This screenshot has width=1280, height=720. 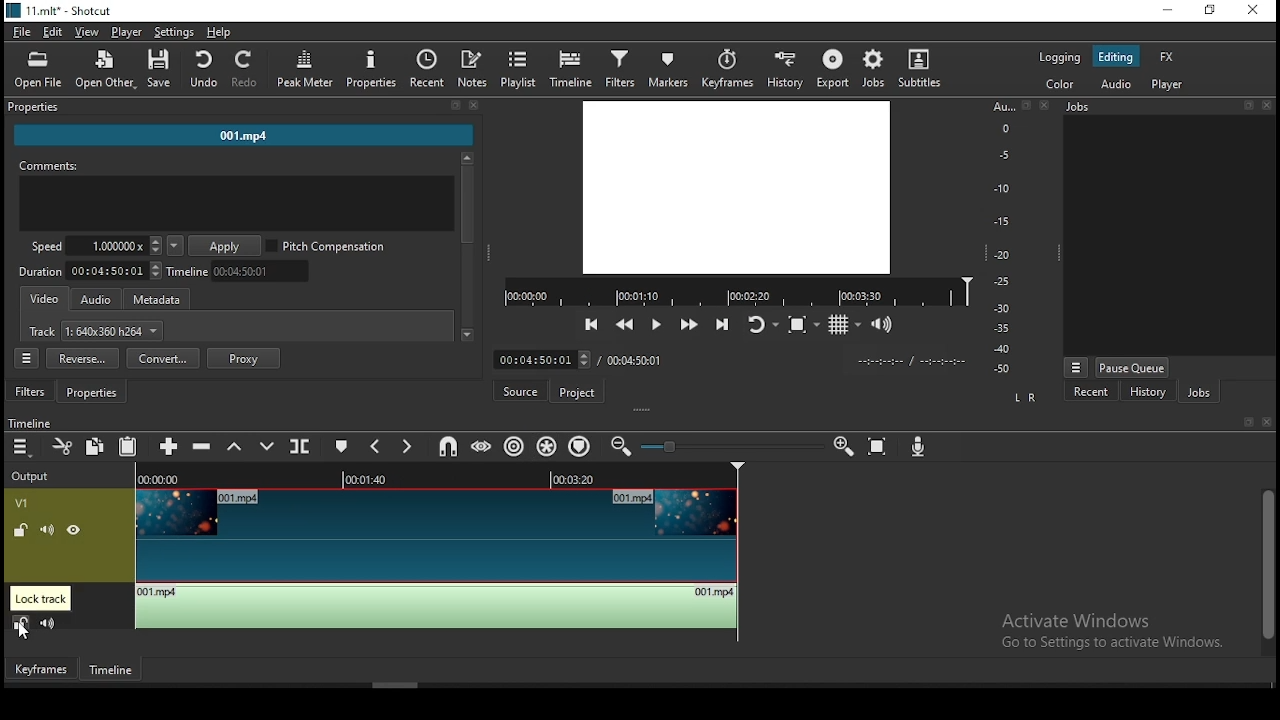 I want to click on 11.mlt* -shotcut, so click(x=62, y=11).